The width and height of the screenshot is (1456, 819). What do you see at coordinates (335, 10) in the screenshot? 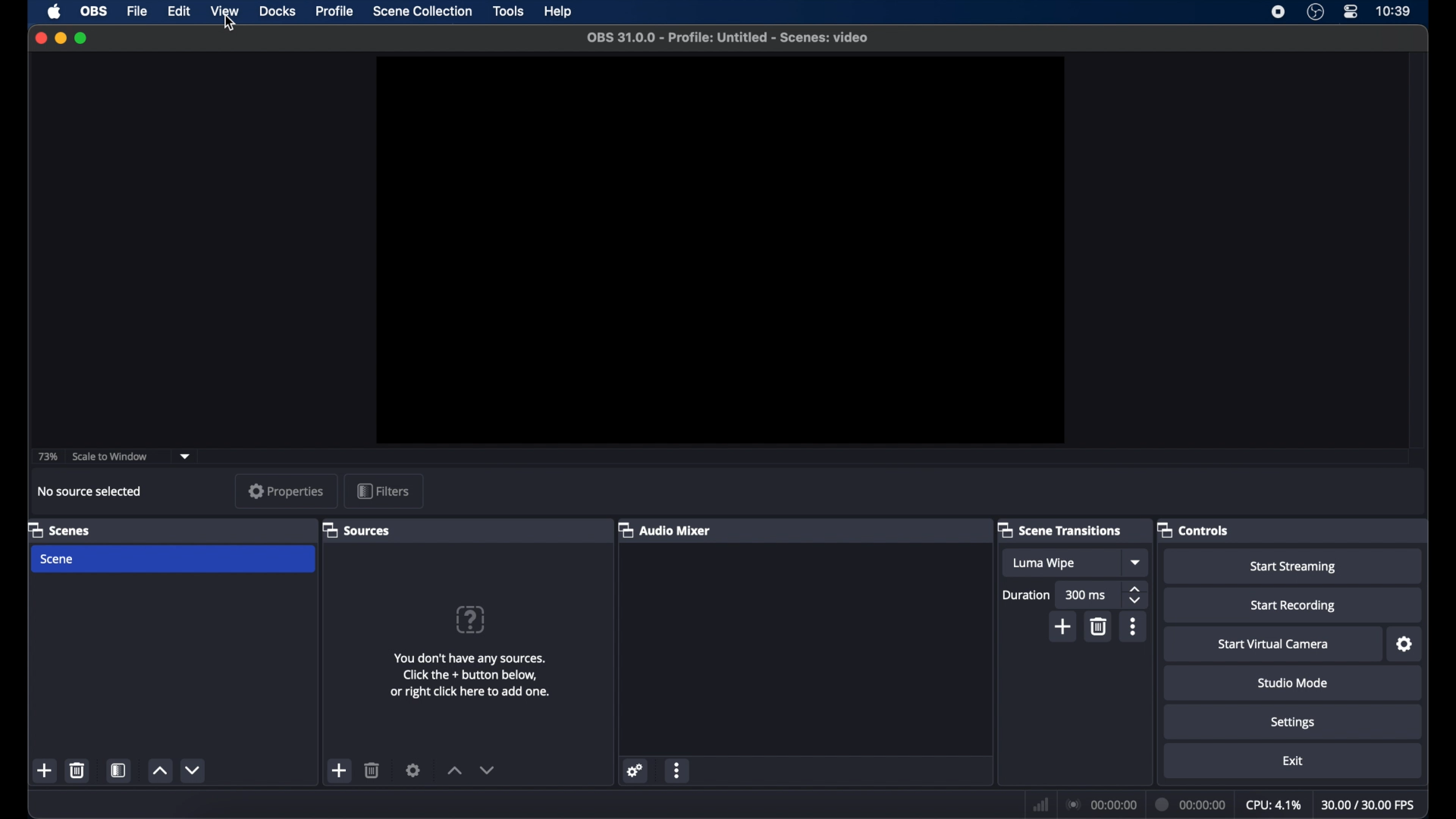
I see `profile` at bounding box center [335, 10].